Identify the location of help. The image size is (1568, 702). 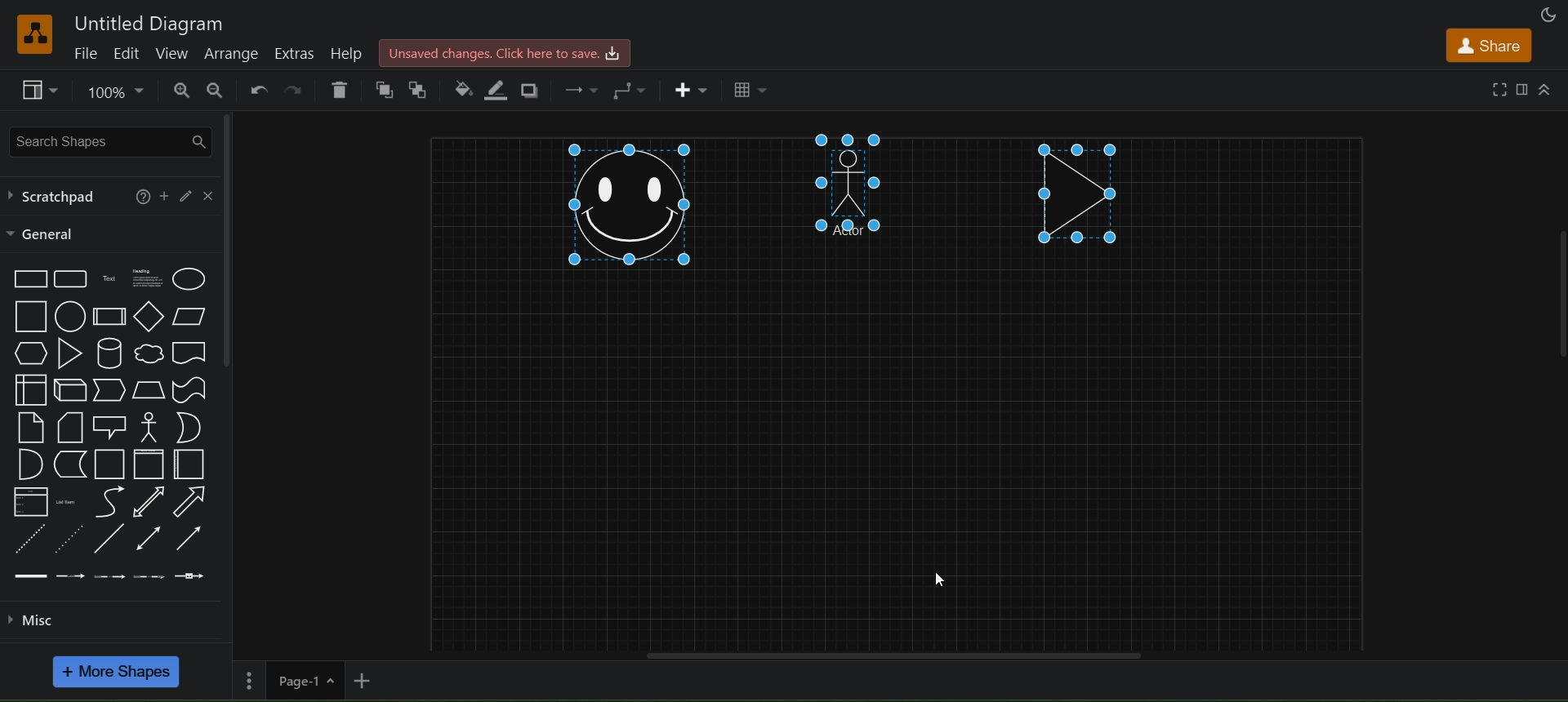
(349, 53).